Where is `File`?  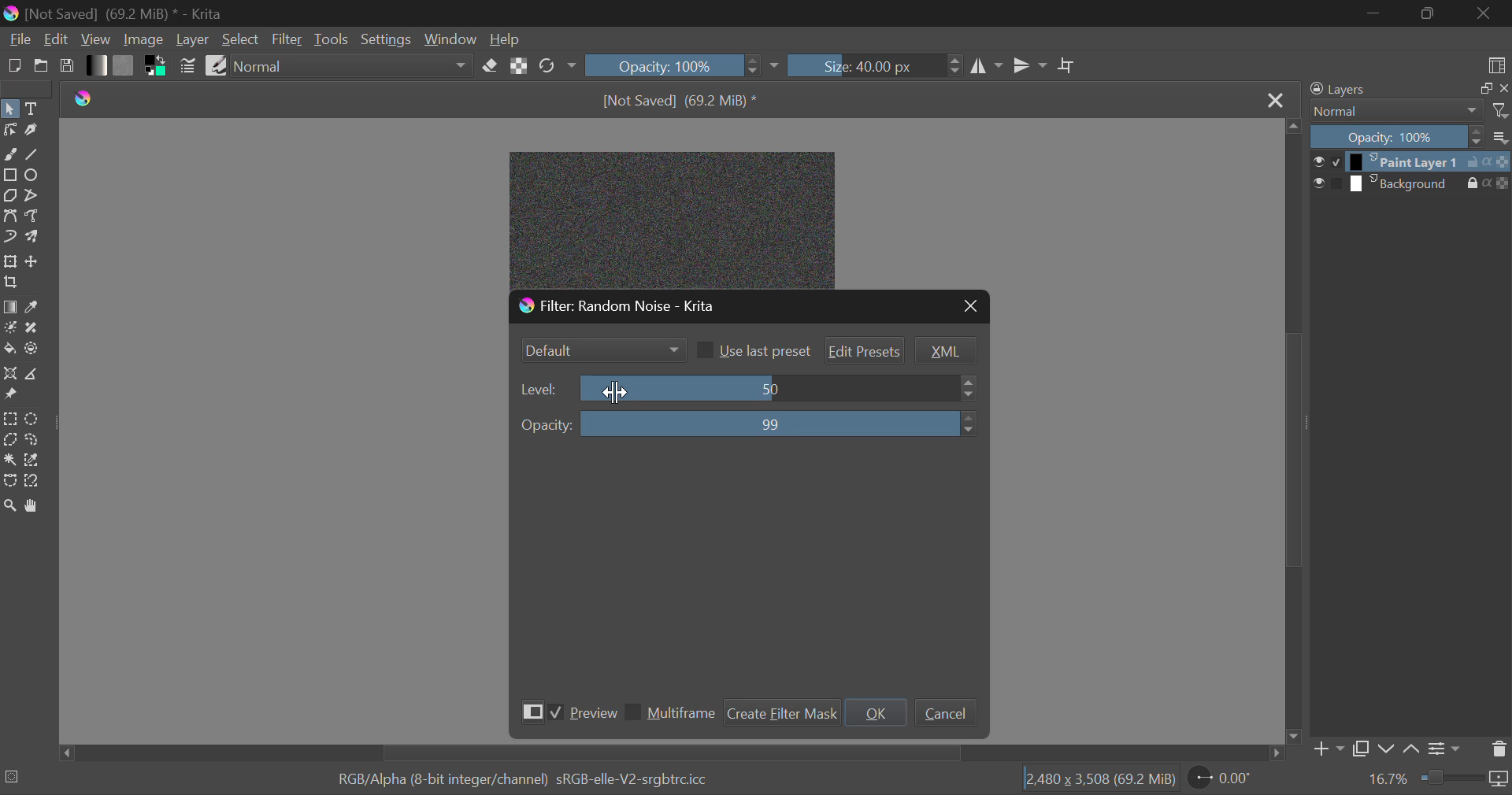 File is located at coordinates (18, 41).